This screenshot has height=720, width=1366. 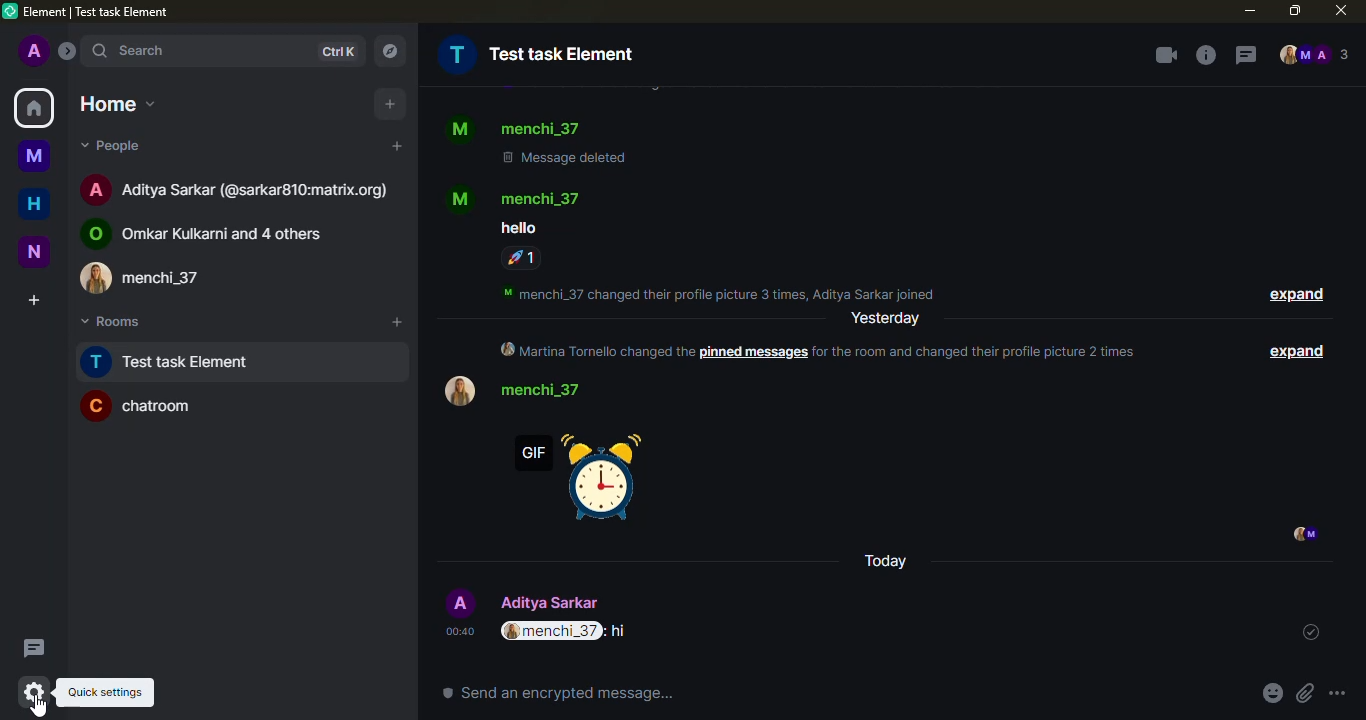 I want to click on contact, so click(x=548, y=389).